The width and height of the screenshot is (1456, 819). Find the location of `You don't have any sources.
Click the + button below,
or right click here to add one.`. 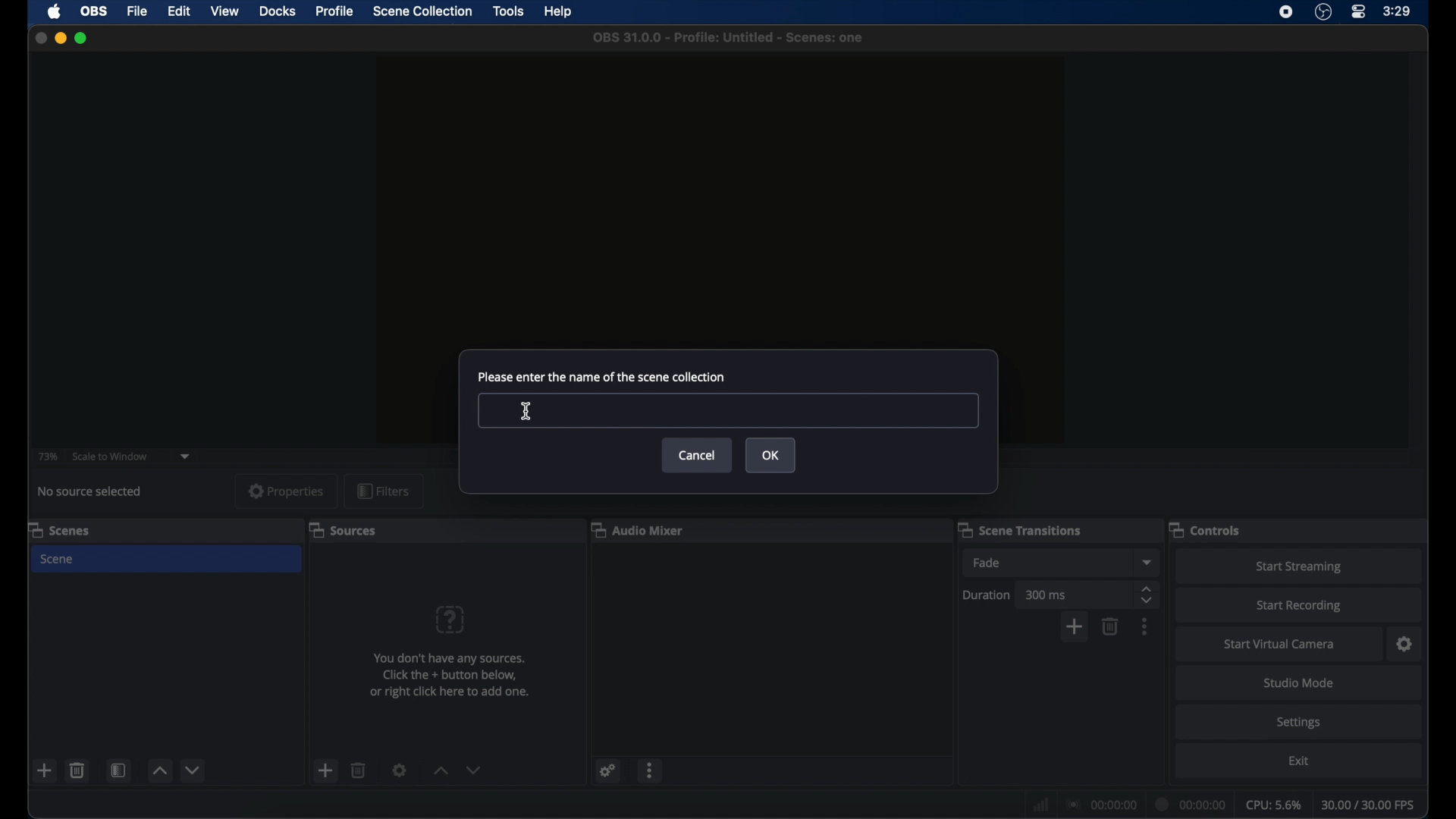

You don't have any sources.
Click the + button below,
or right click here to add one. is located at coordinates (454, 678).